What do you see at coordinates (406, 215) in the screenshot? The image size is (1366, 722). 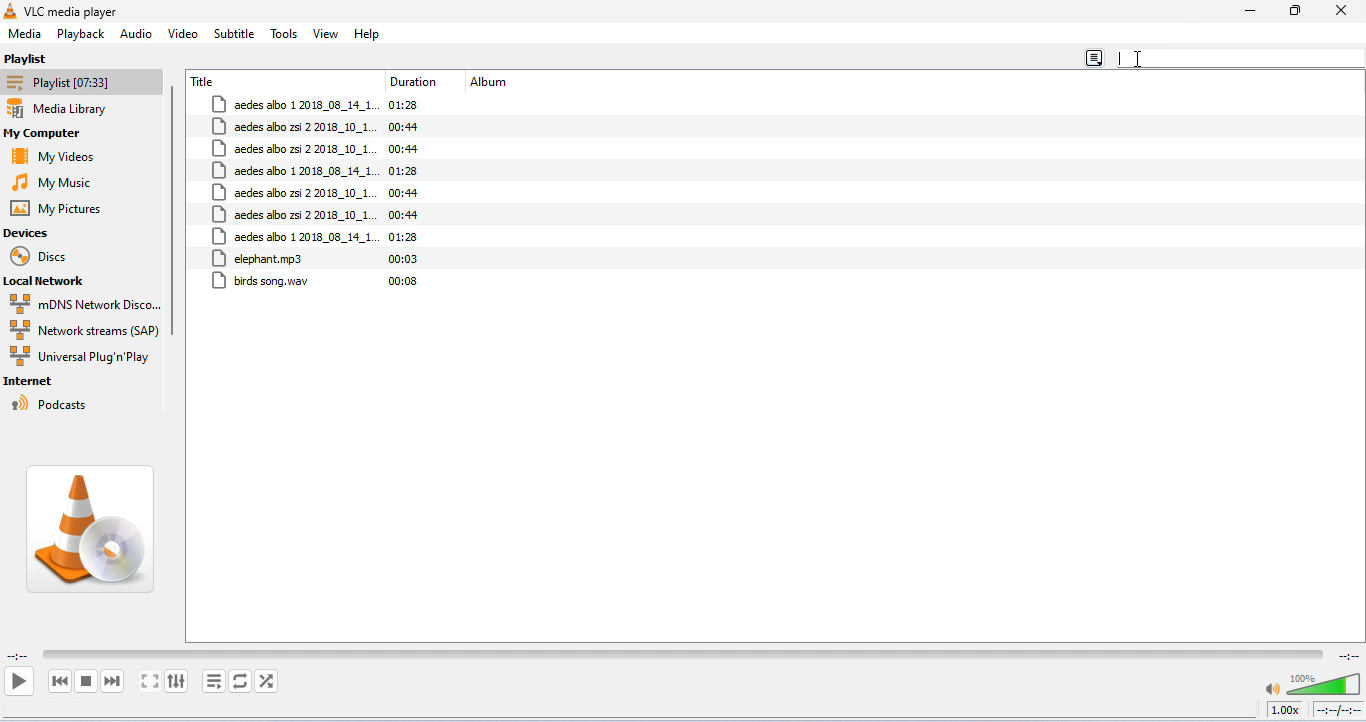 I see `00:44` at bounding box center [406, 215].